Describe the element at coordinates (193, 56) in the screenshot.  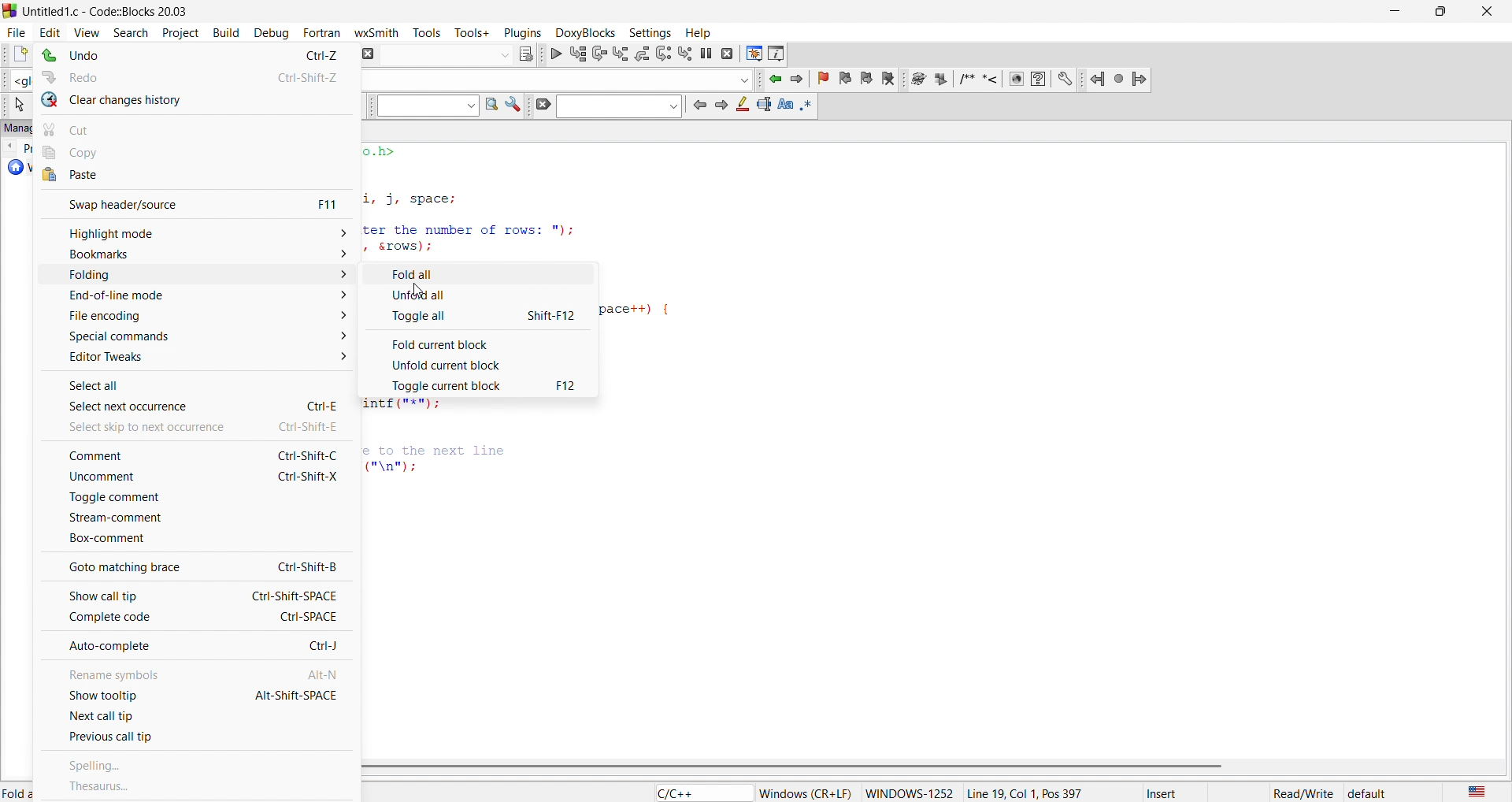
I see `undo` at that location.